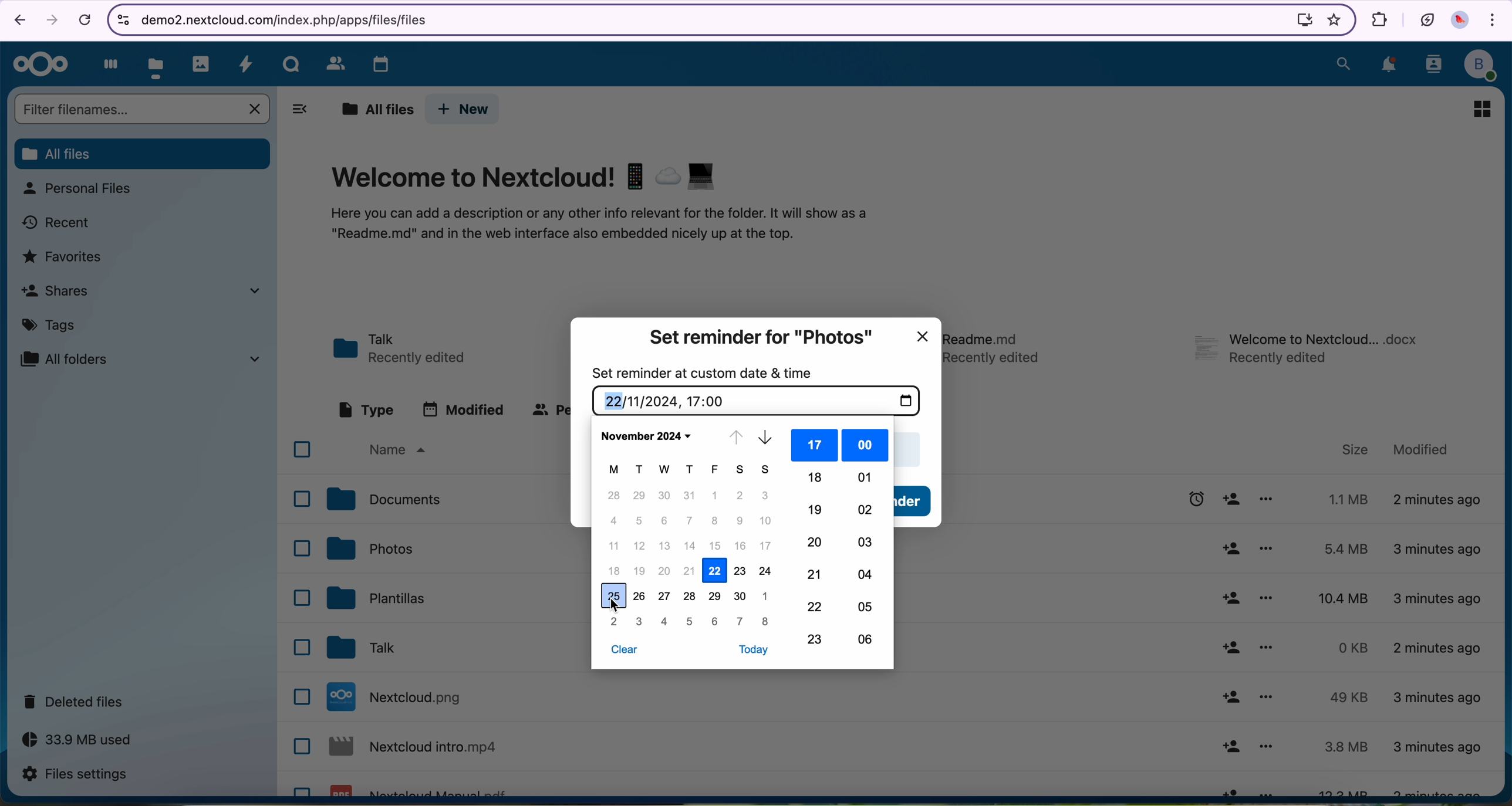 The height and width of the screenshot is (806, 1512). Describe the element at coordinates (767, 471) in the screenshot. I see `sunday` at that location.